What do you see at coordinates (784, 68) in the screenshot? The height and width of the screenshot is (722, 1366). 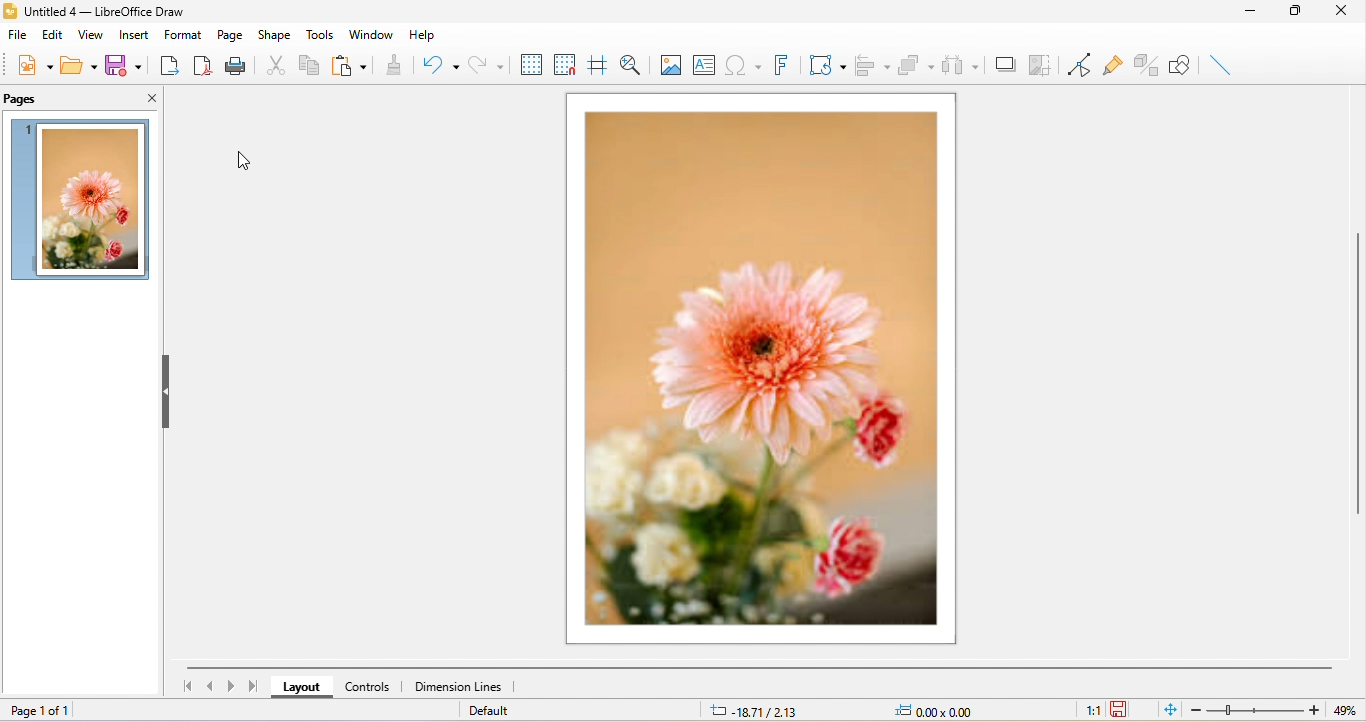 I see `font work text` at bounding box center [784, 68].